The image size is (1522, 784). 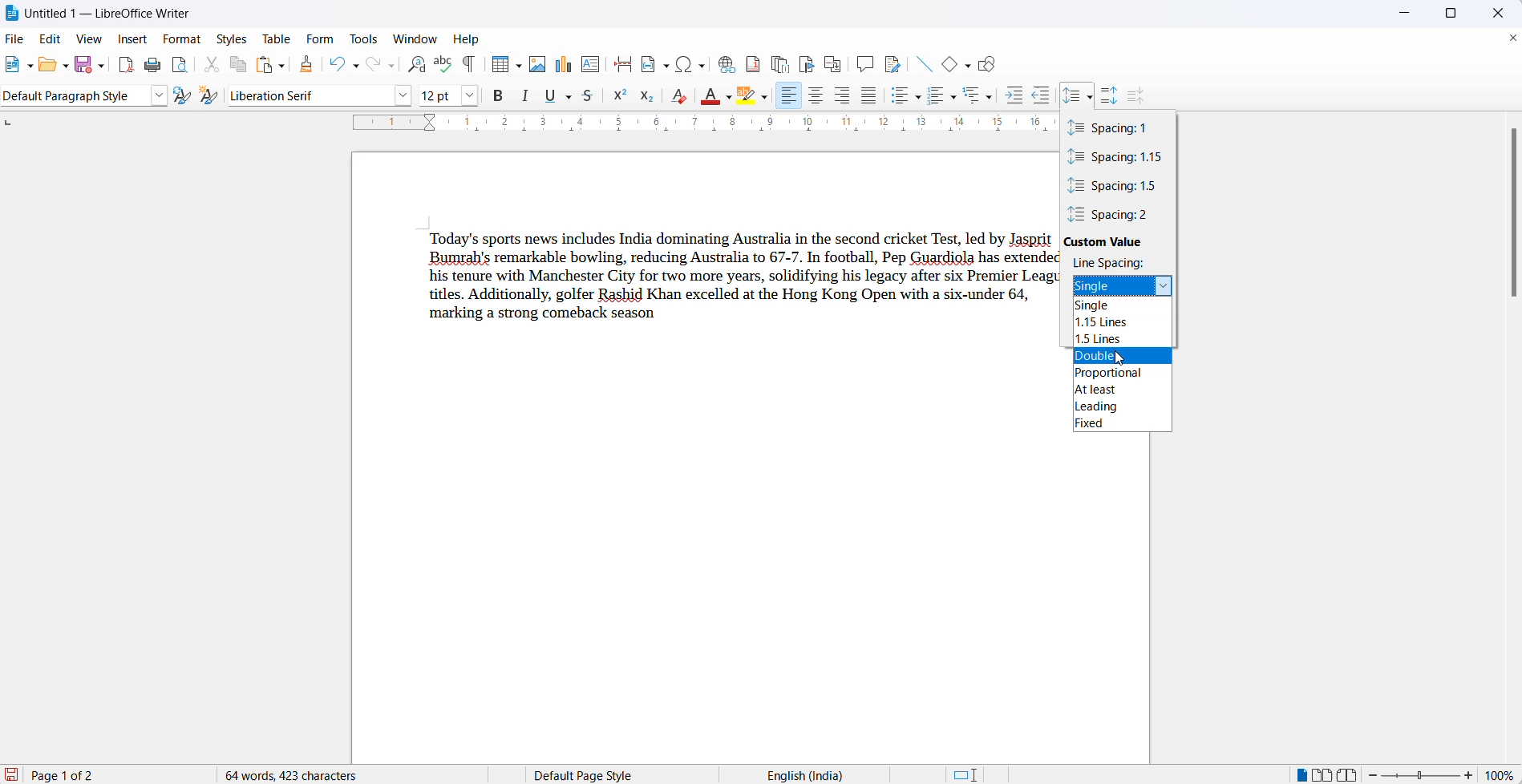 What do you see at coordinates (526, 97) in the screenshot?
I see `italic` at bounding box center [526, 97].